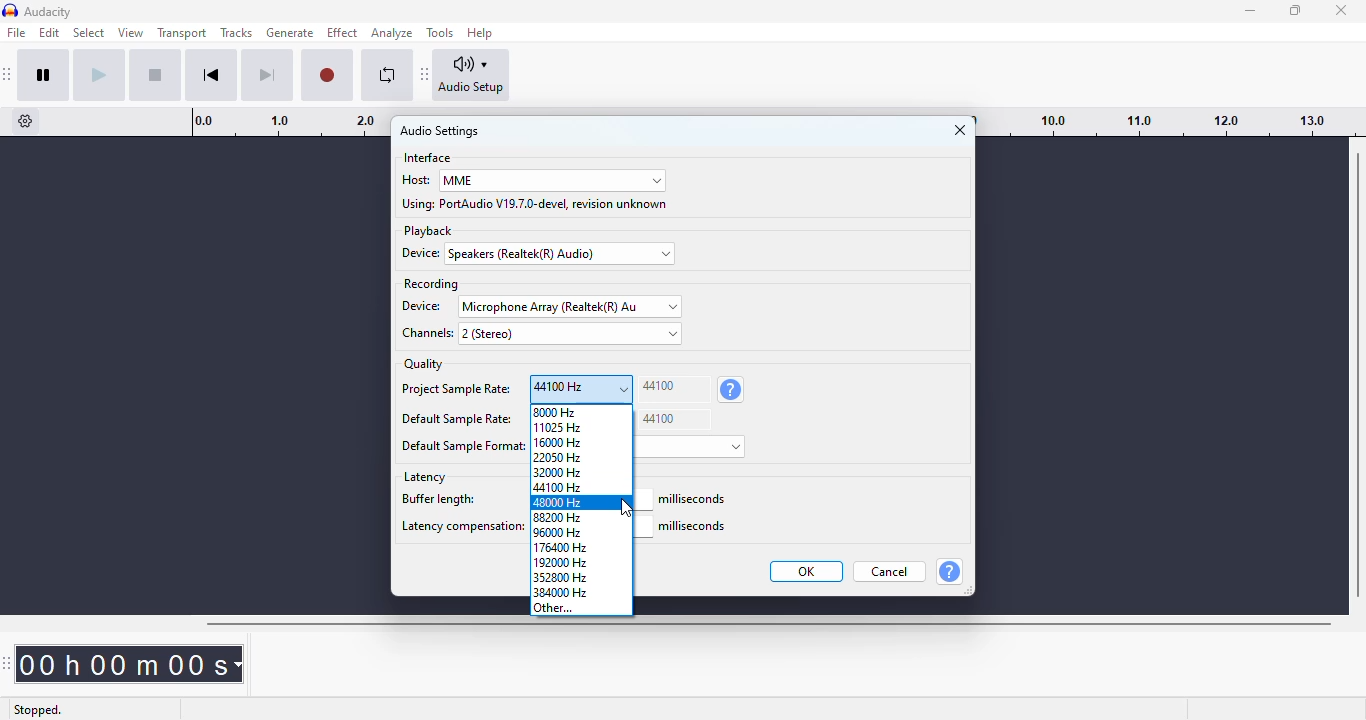 The image size is (1366, 720). What do you see at coordinates (49, 12) in the screenshot?
I see `audacity` at bounding box center [49, 12].